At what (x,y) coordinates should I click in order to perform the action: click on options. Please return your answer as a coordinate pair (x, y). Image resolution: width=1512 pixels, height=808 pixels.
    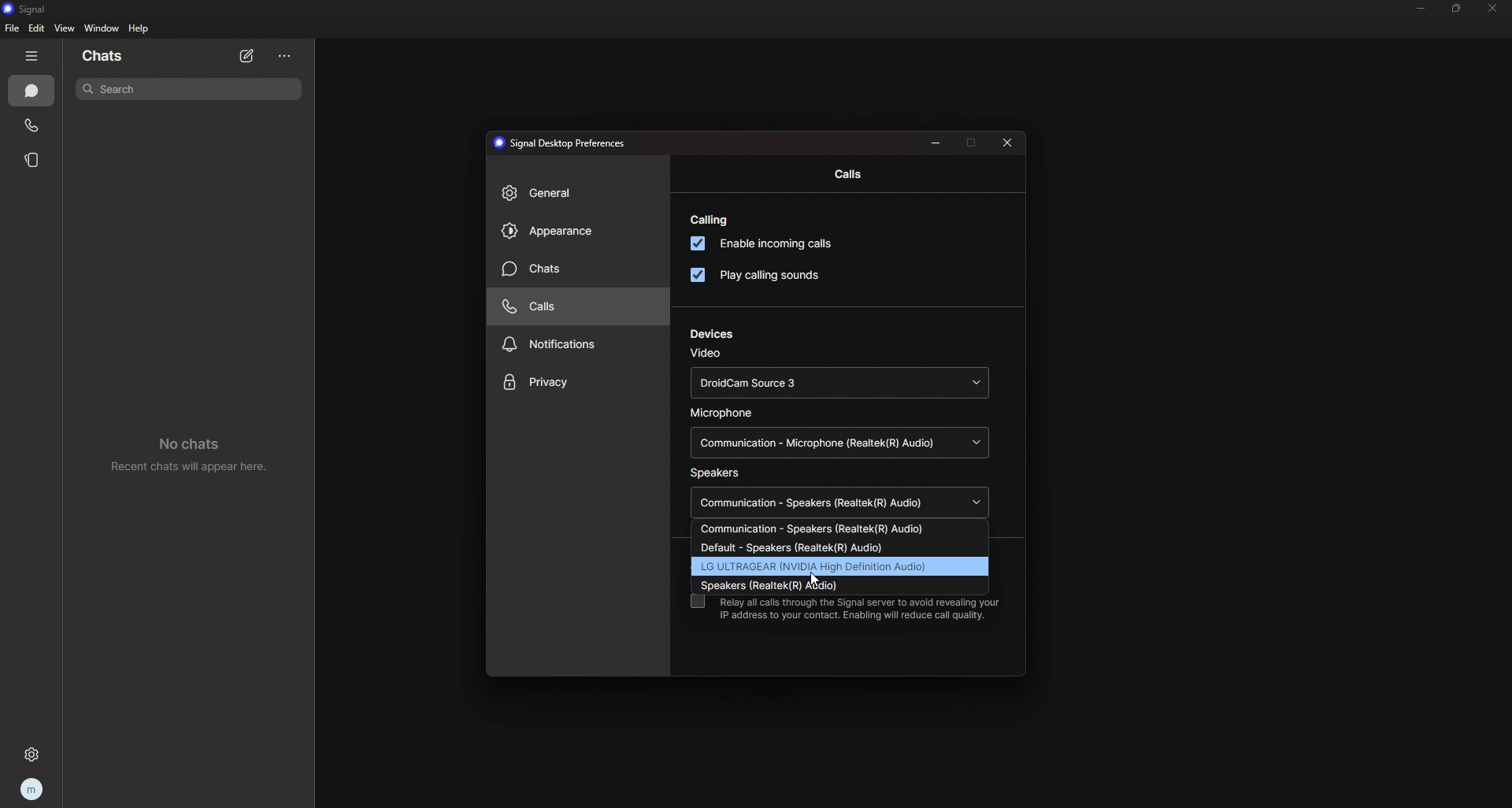
    Looking at the image, I should click on (286, 57).